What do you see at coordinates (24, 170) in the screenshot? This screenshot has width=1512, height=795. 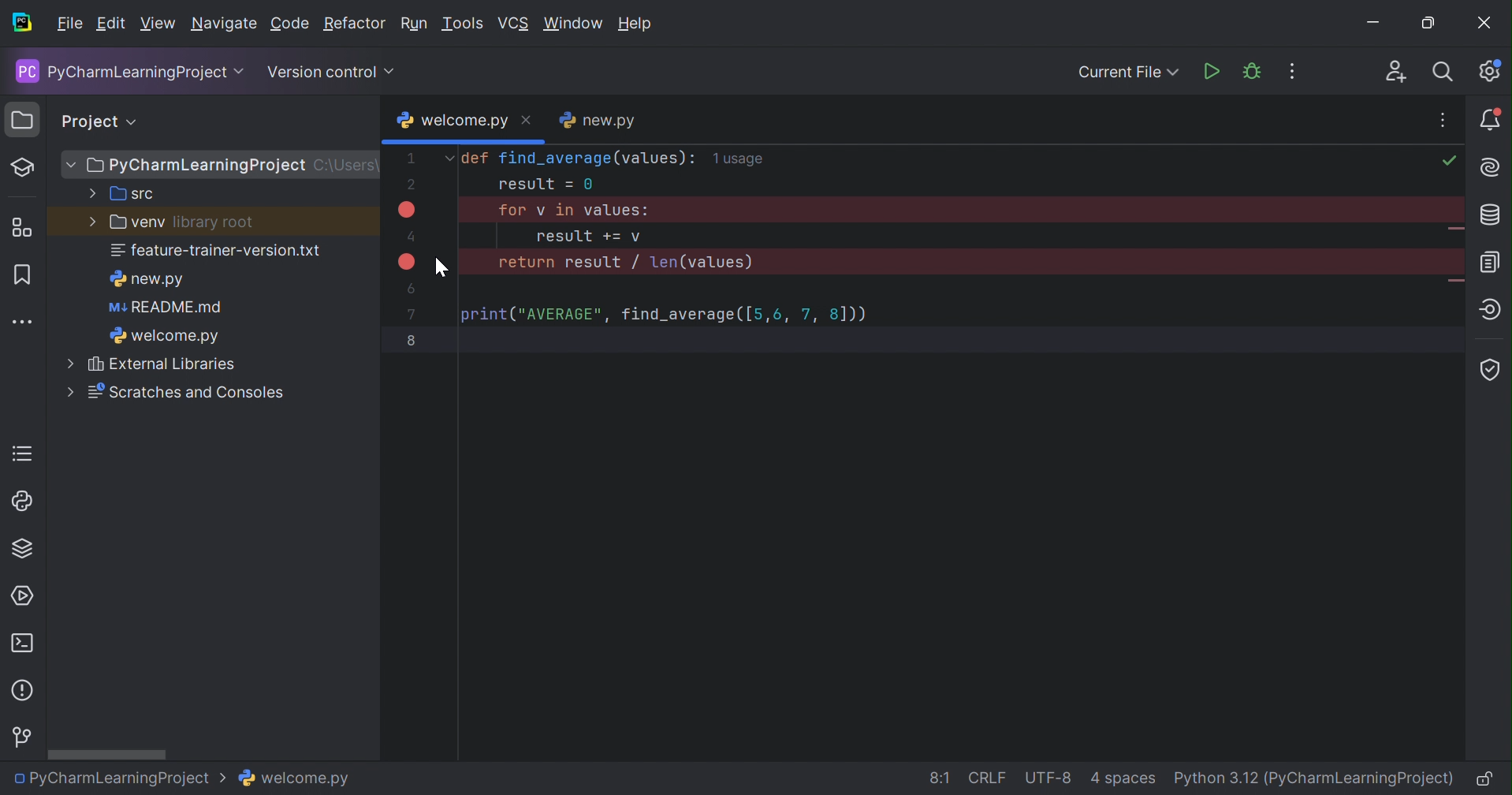 I see `Mark as Test` at bounding box center [24, 170].